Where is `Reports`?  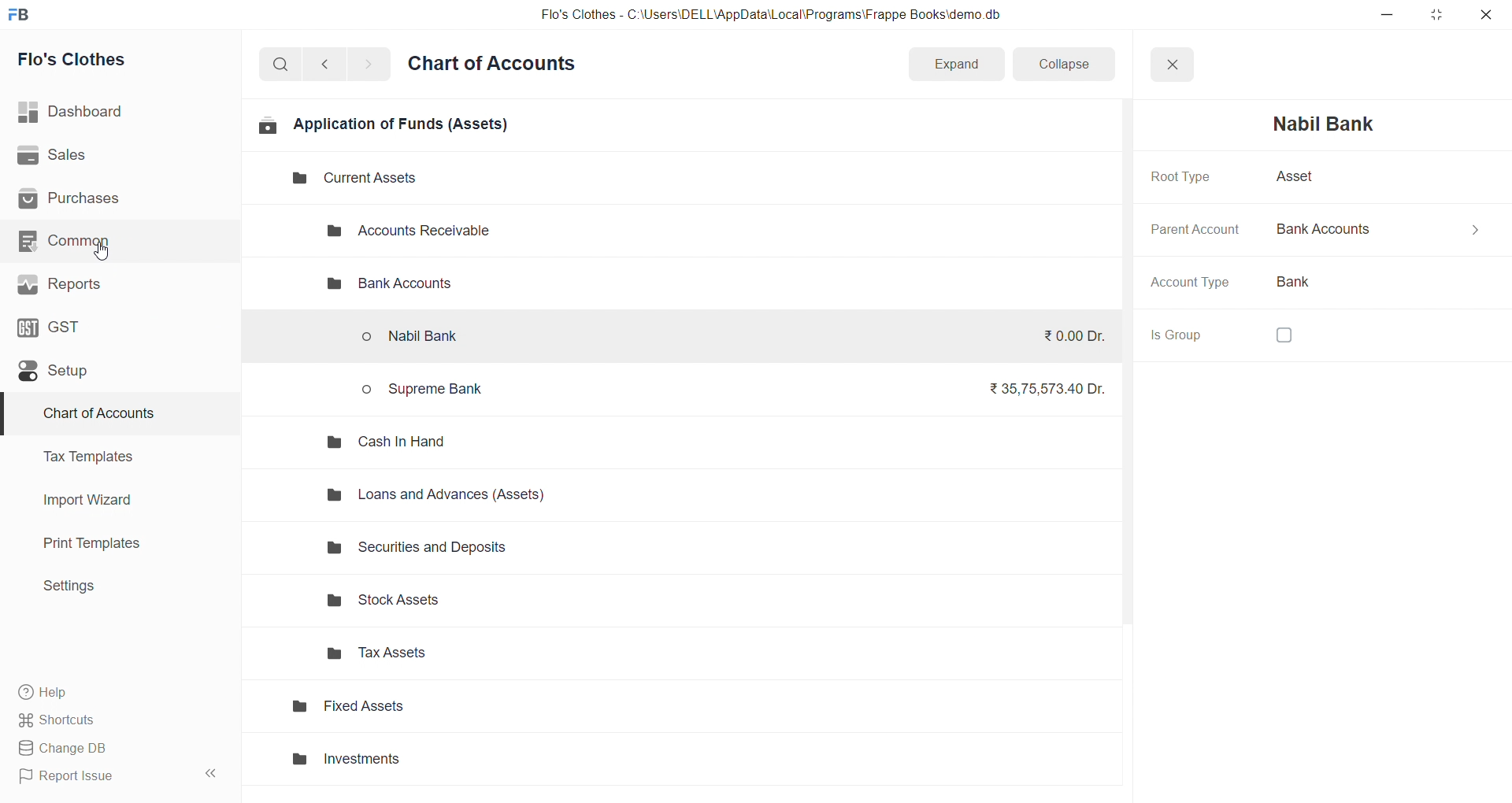 Reports is located at coordinates (113, 284).